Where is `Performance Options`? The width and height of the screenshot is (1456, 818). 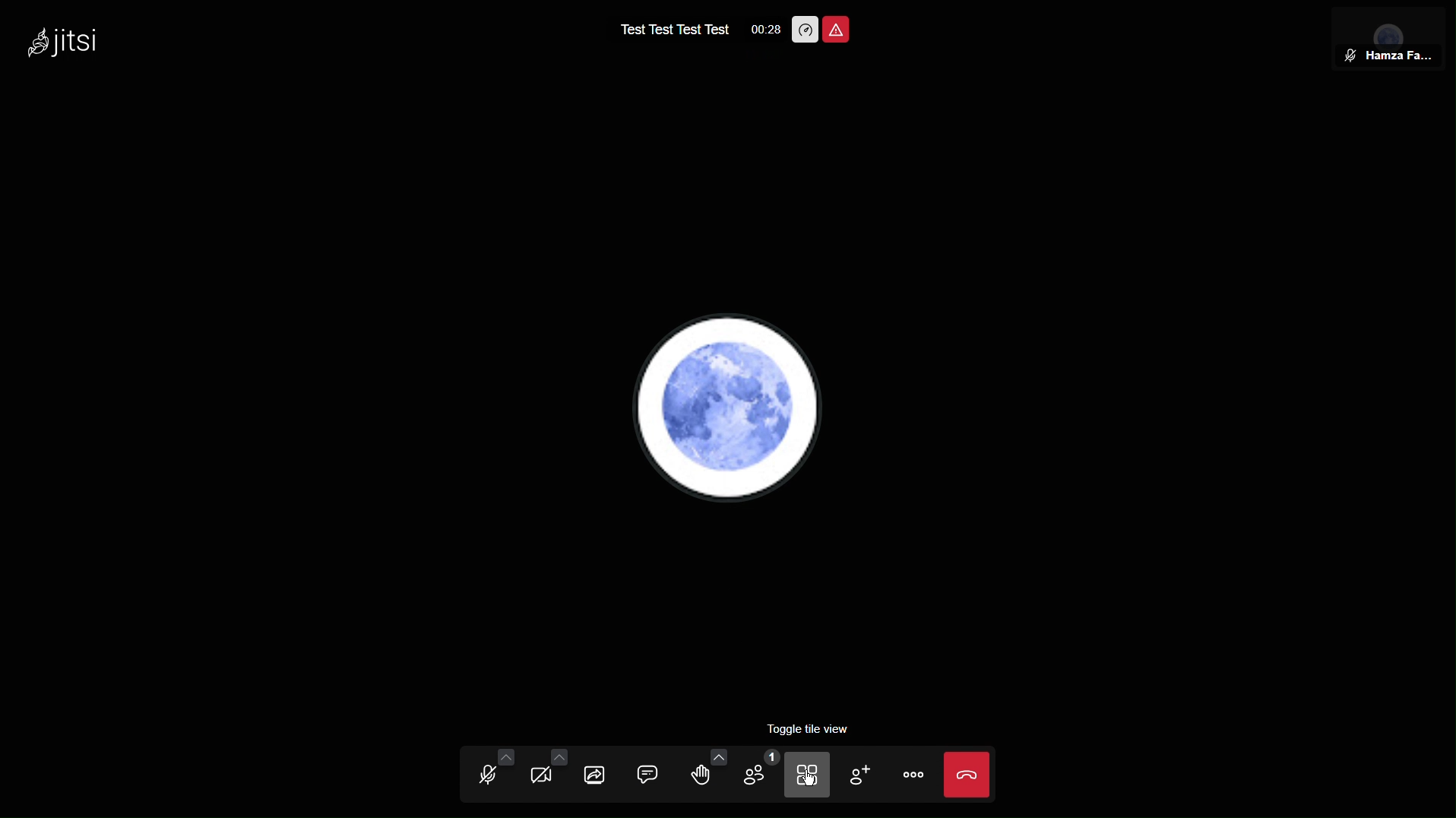 Performance Options is located at coordinates (805, 29).